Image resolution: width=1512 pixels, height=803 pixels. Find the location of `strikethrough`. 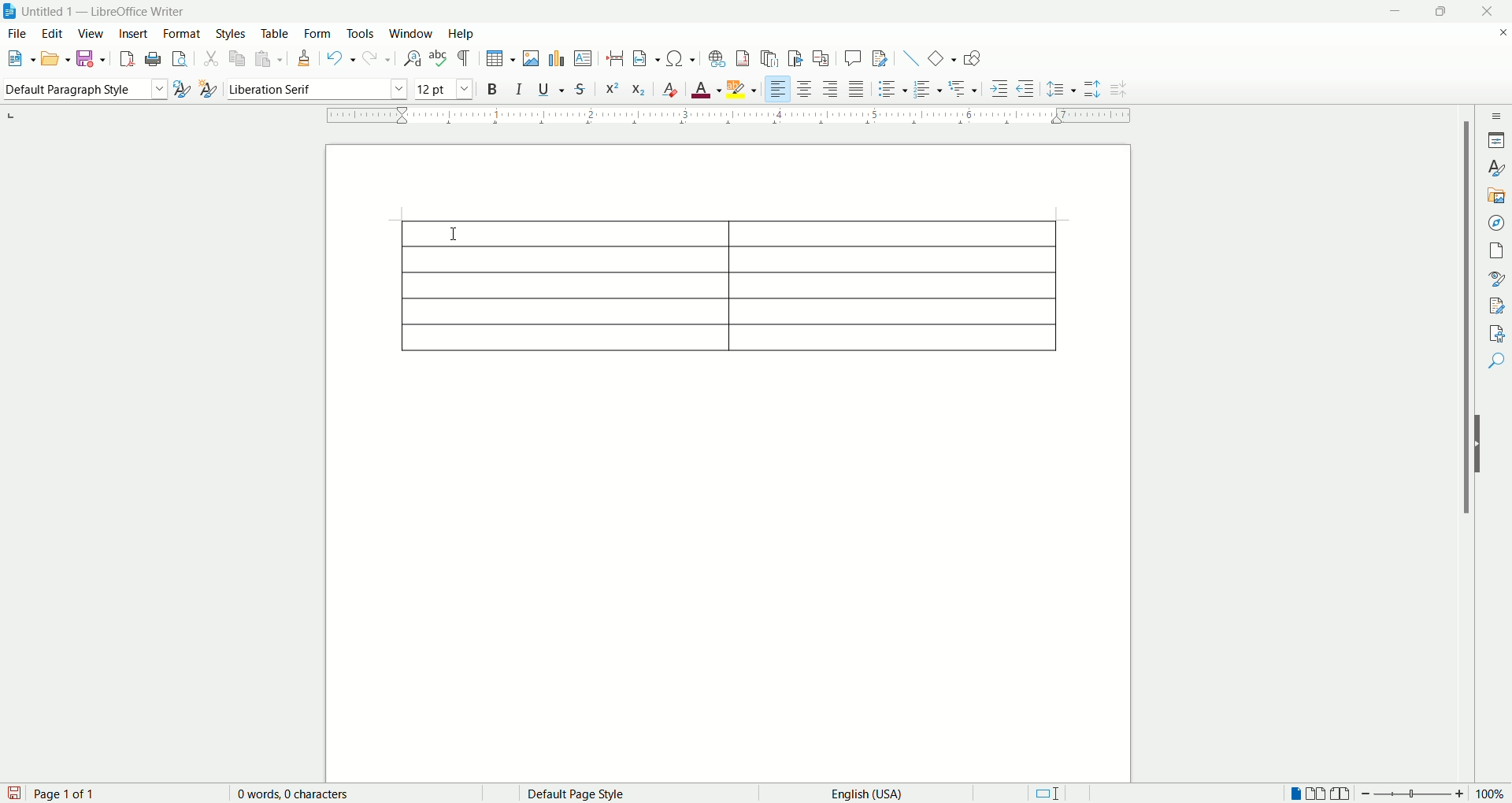

strikethrough is located at coordinates (580, 88).